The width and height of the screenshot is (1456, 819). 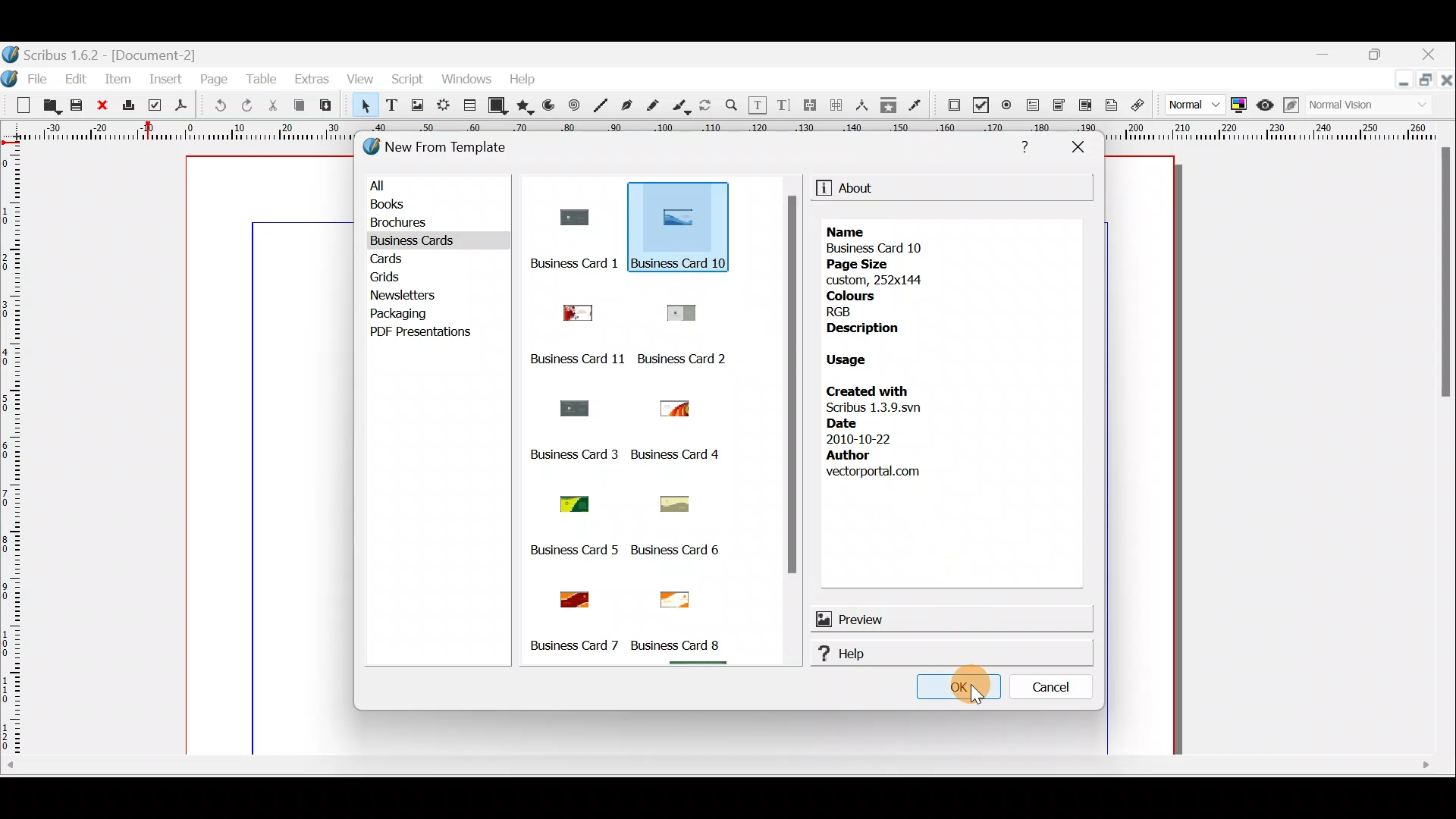 I want to click on Scroll bar, so click(x=792, y=429).